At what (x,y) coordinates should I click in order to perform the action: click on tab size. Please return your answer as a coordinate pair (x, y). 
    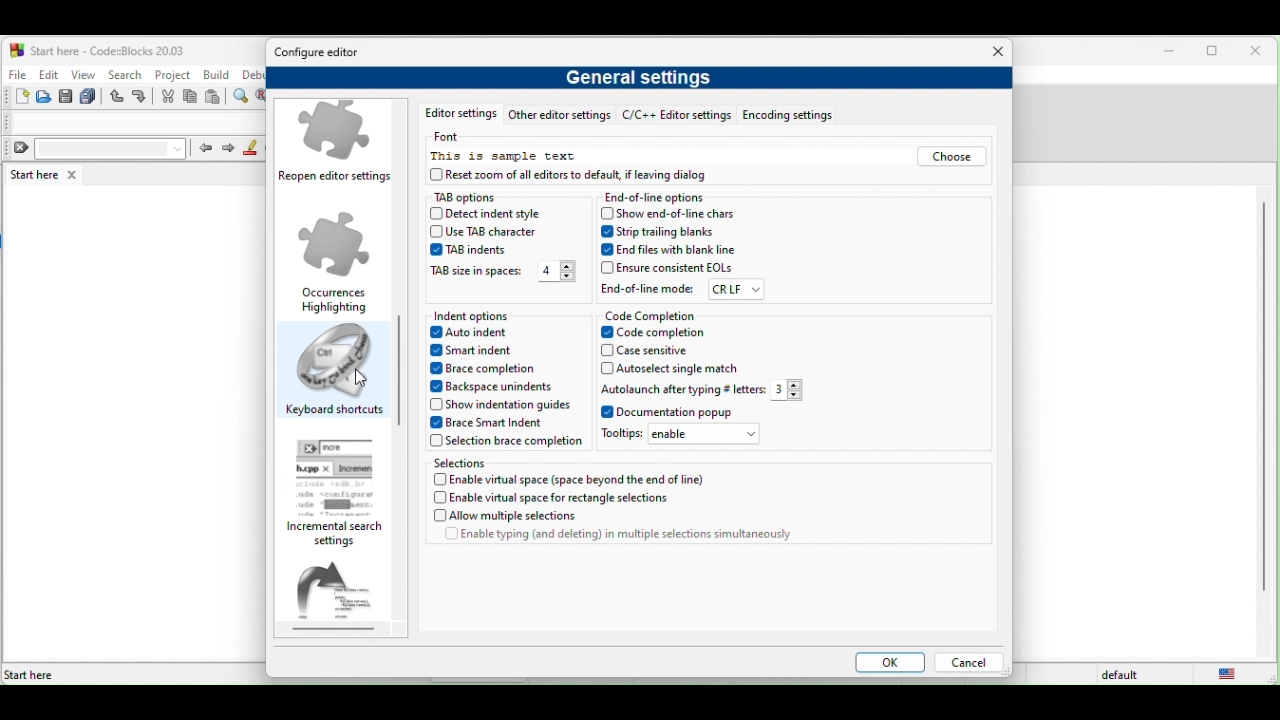
    Looking at the image, I should click on (476, 273).